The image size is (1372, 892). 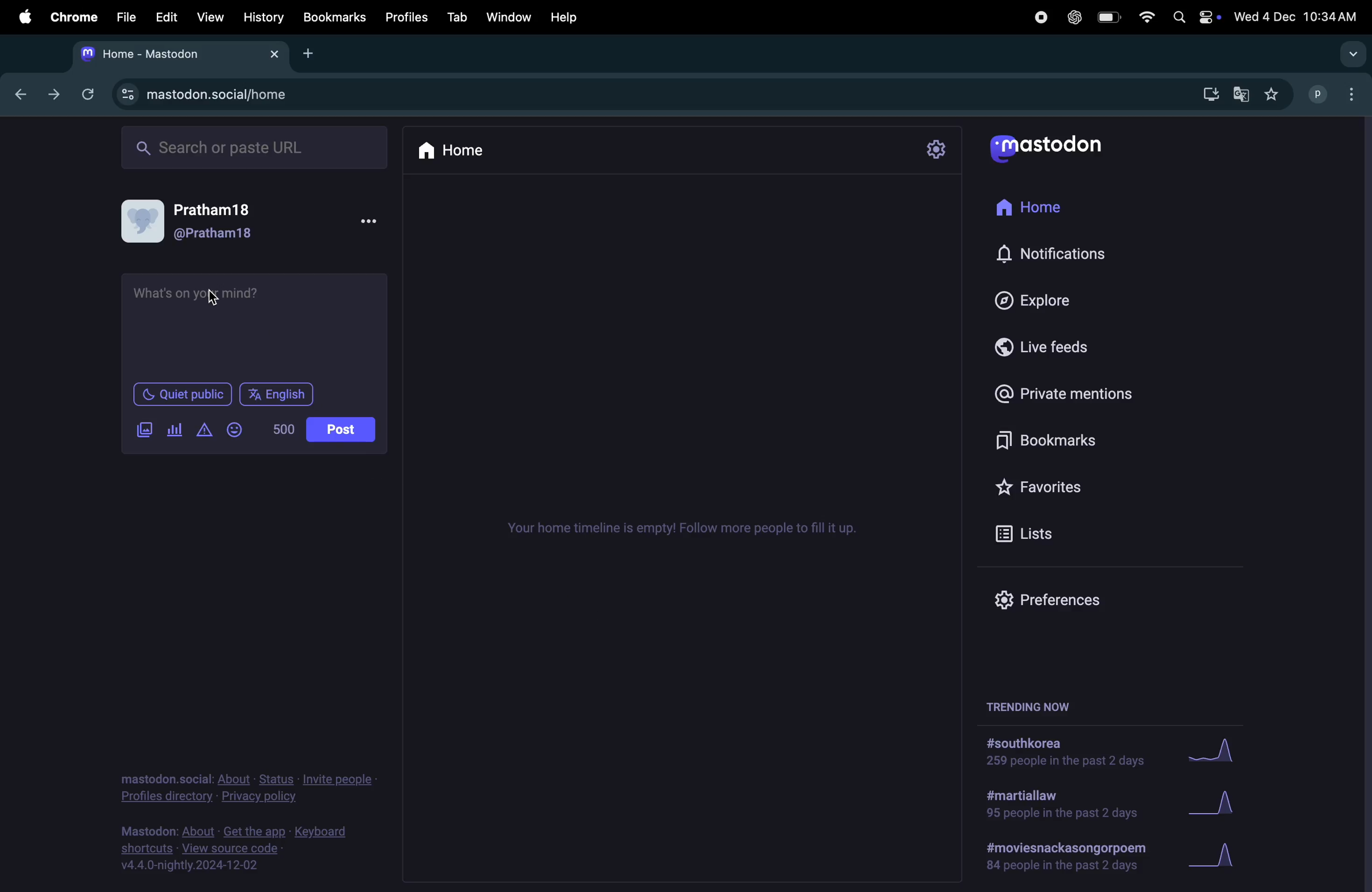 I want to click on Live feeds, so click(x=1042, y=345).